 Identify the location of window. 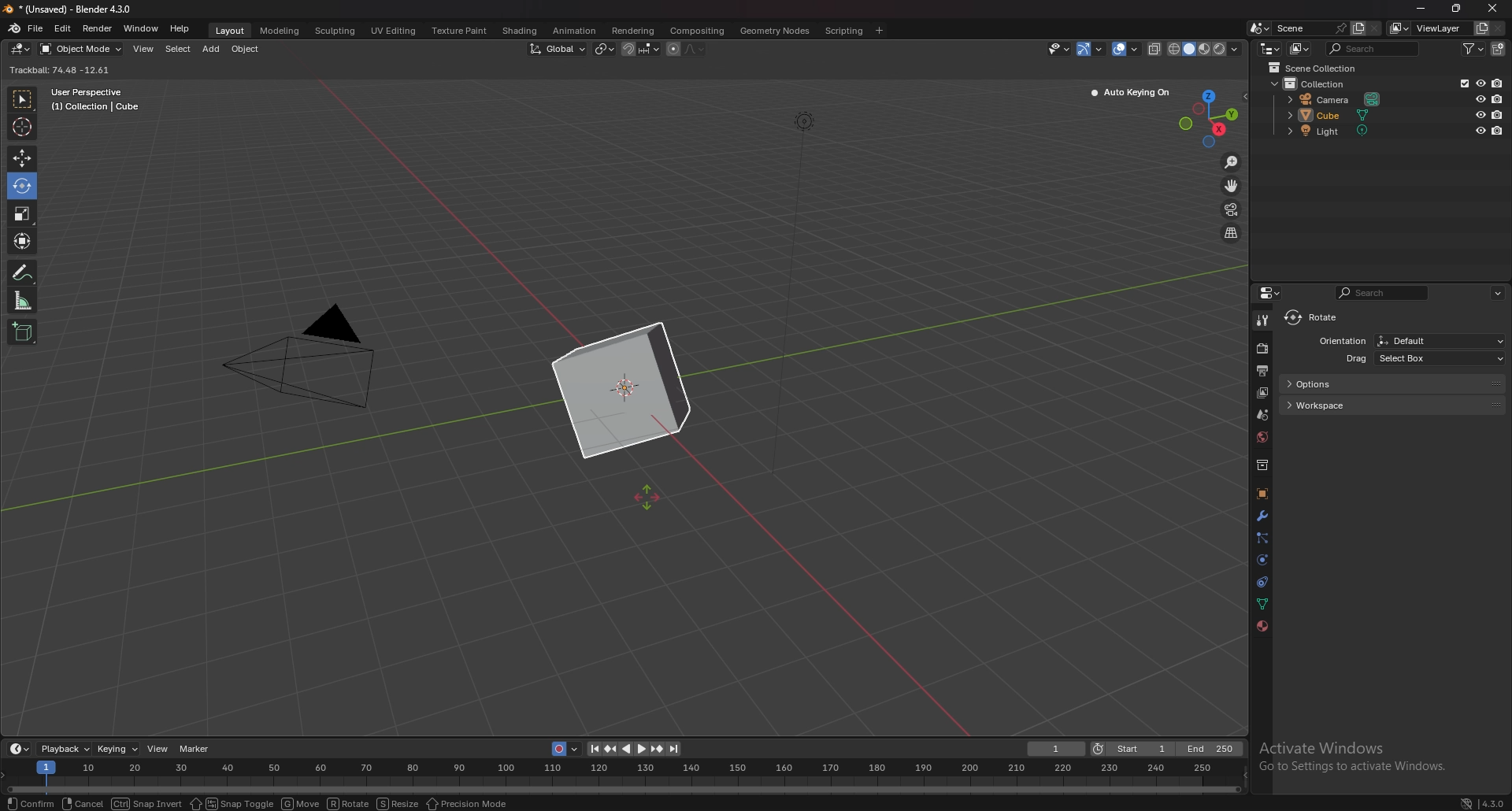
(140, 28).